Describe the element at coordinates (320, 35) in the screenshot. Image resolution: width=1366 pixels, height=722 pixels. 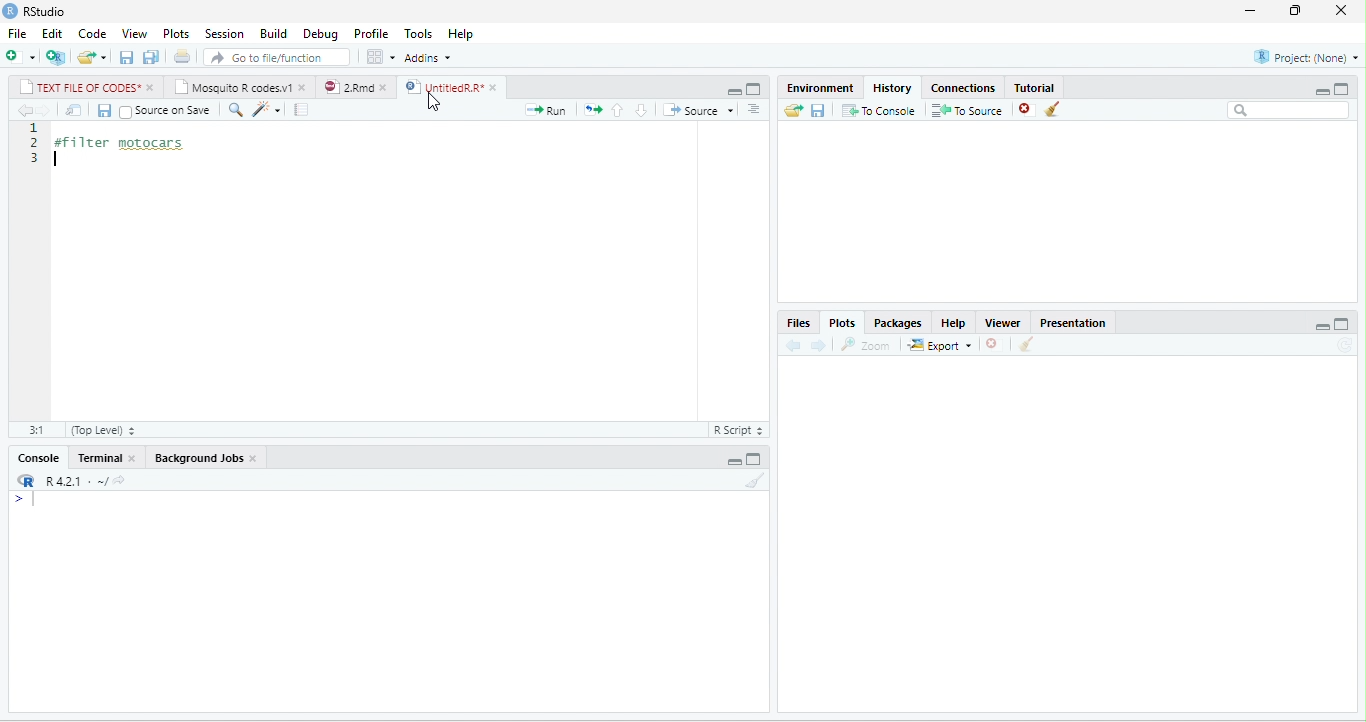
I see `Debug` at that location.